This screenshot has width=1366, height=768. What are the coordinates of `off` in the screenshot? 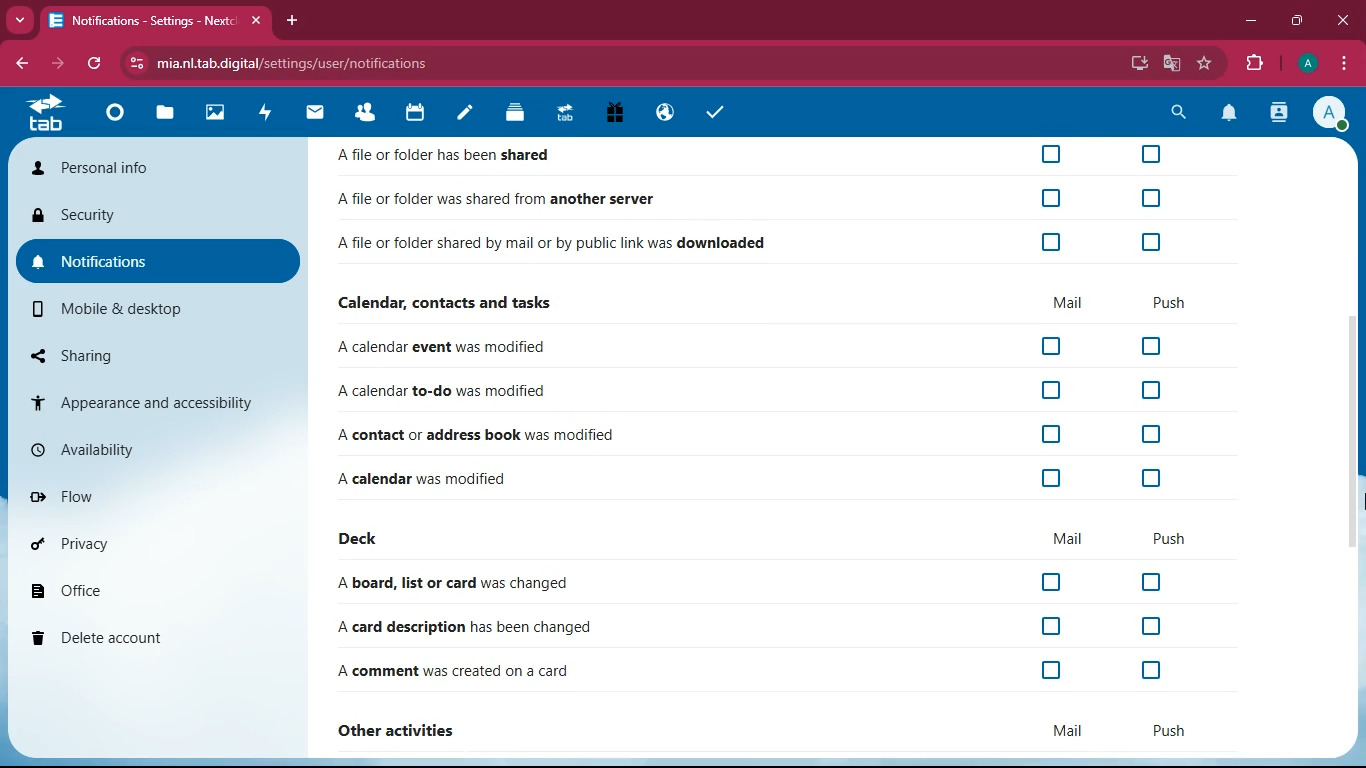 It's located at (1049, 156).